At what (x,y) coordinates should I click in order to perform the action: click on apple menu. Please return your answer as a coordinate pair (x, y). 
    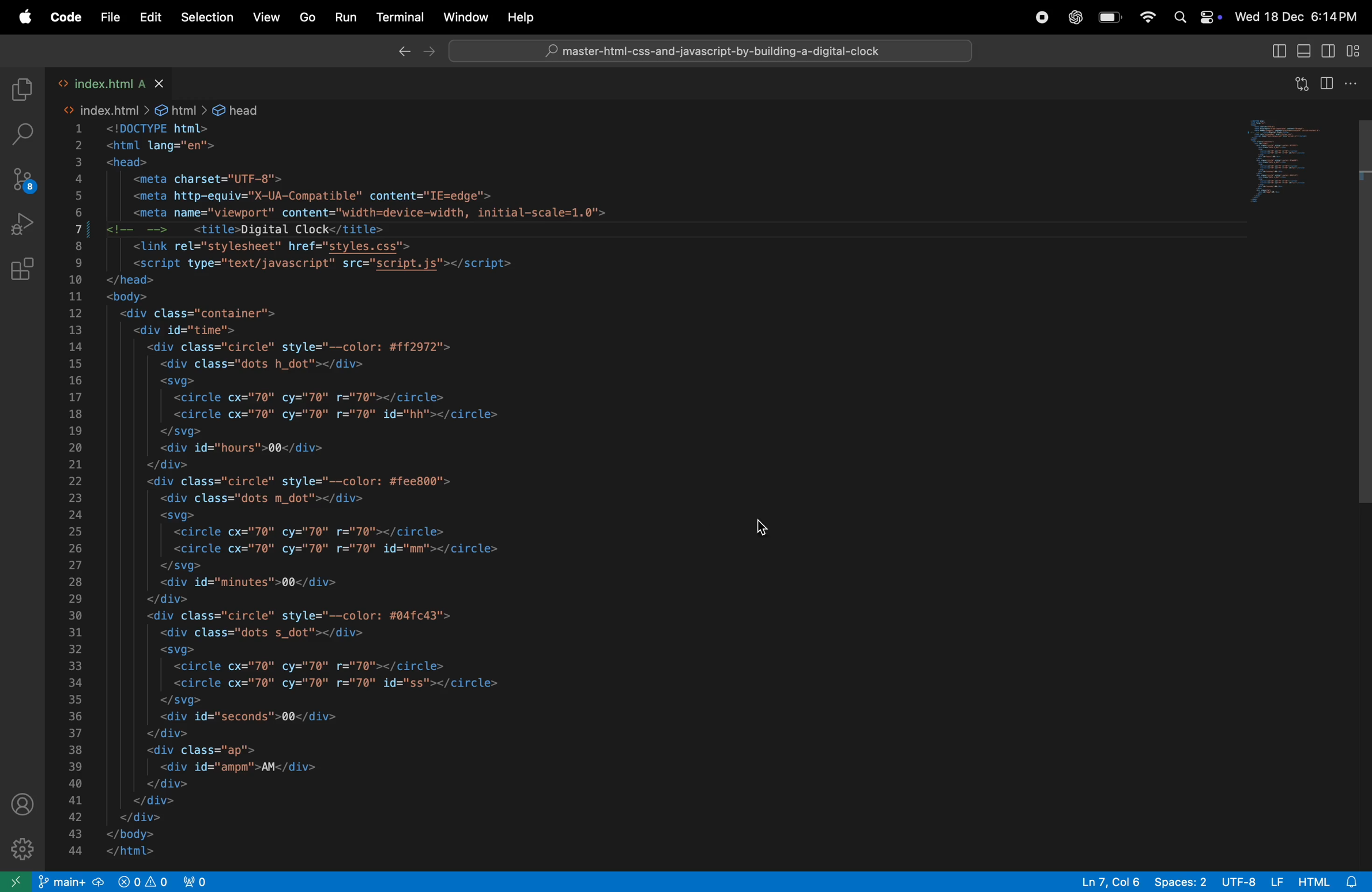
    Looking at the image, I should click on (27, 17).